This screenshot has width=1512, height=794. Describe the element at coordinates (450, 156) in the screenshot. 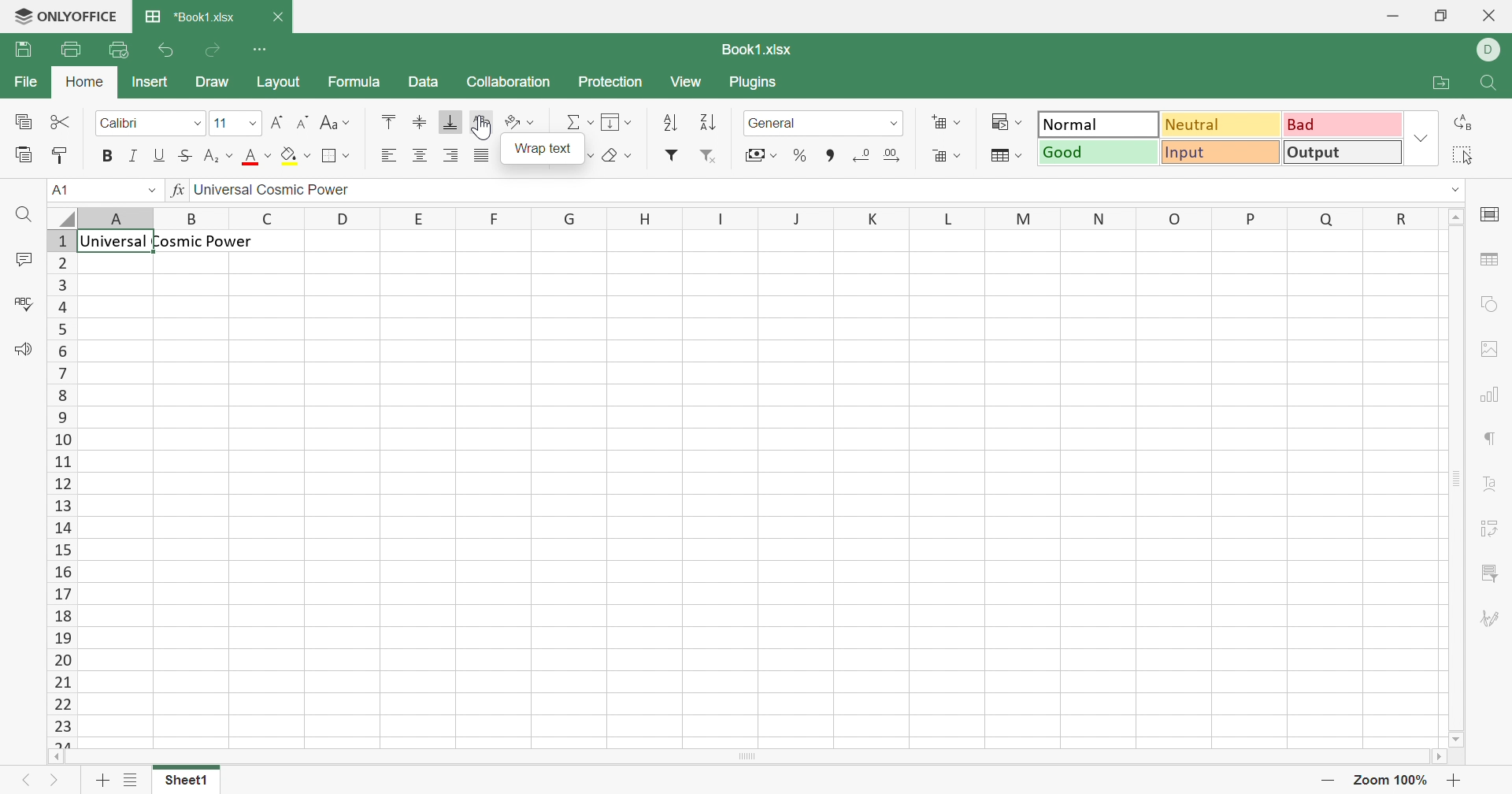

I see `Align Right` at that location.